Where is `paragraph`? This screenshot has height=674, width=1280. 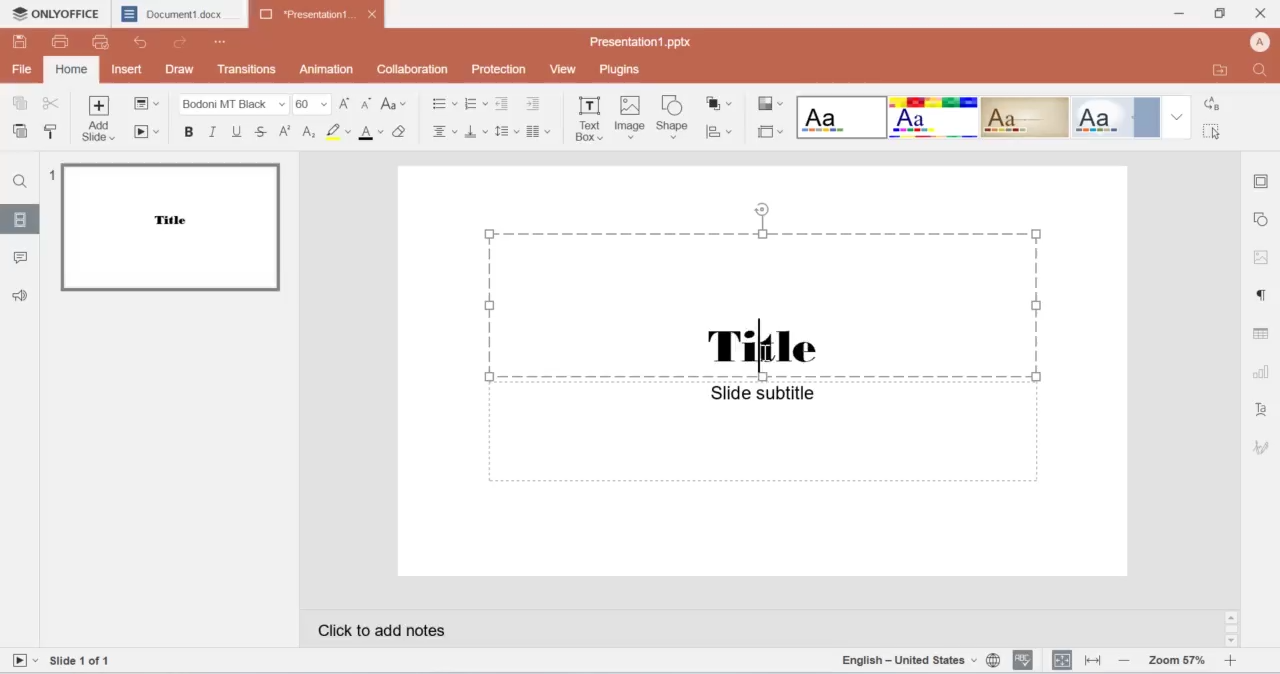
paragraph is located at coordinates (539, 132).